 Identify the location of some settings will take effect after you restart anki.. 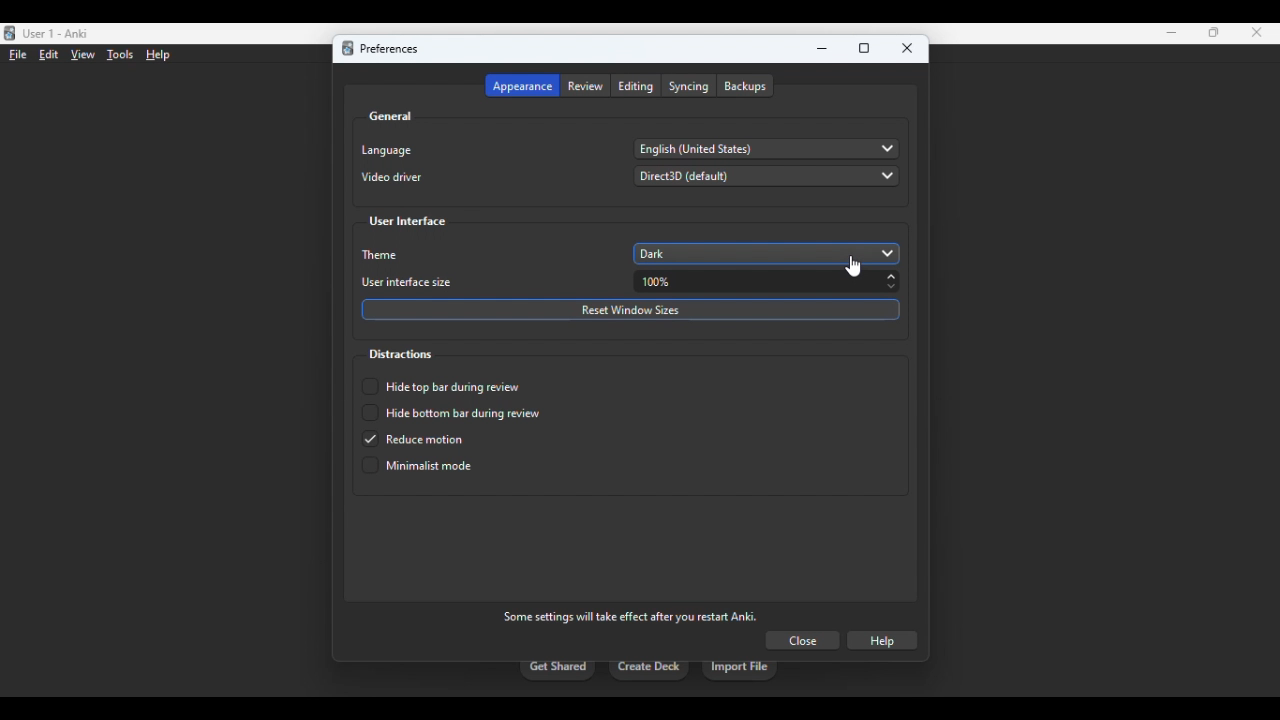
(630, 616).